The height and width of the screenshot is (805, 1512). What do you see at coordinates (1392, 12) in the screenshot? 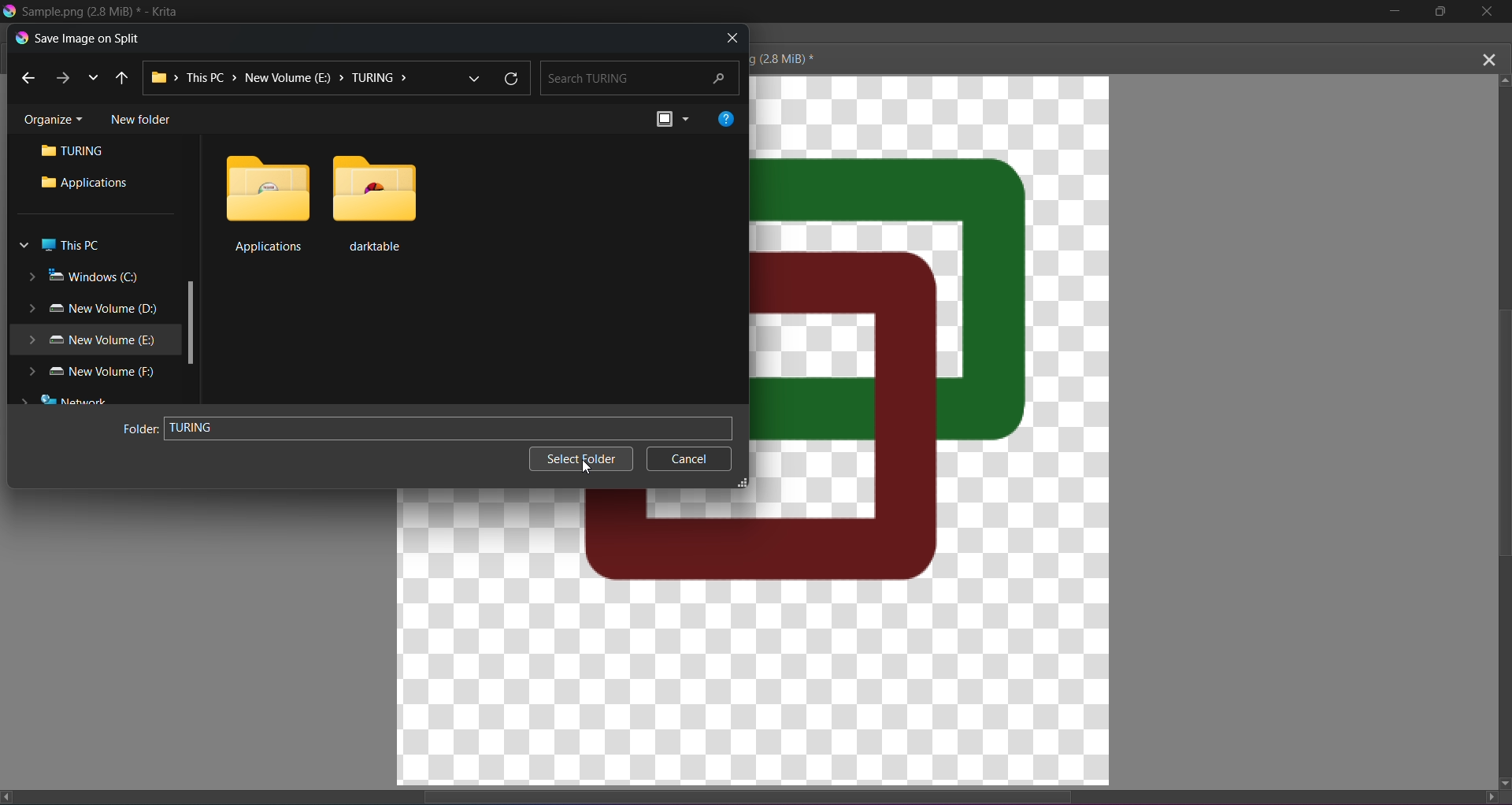
I see `MInimize` at bounding box center [1392, 12].